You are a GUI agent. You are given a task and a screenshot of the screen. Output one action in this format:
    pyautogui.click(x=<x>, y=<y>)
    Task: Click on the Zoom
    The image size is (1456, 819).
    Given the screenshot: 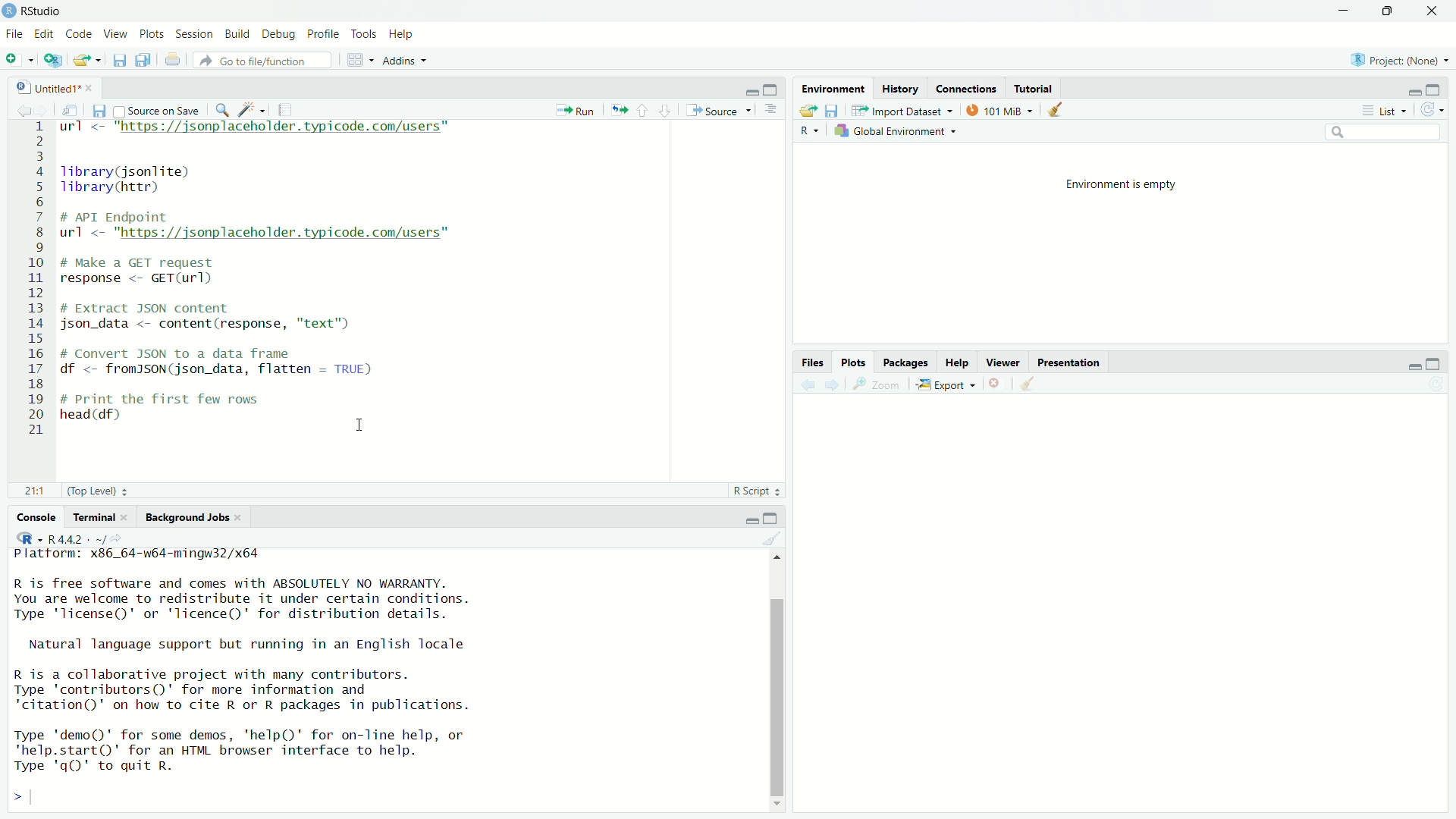 What is the action you would take?
    pyautogui.click(x=877, y=386)
    